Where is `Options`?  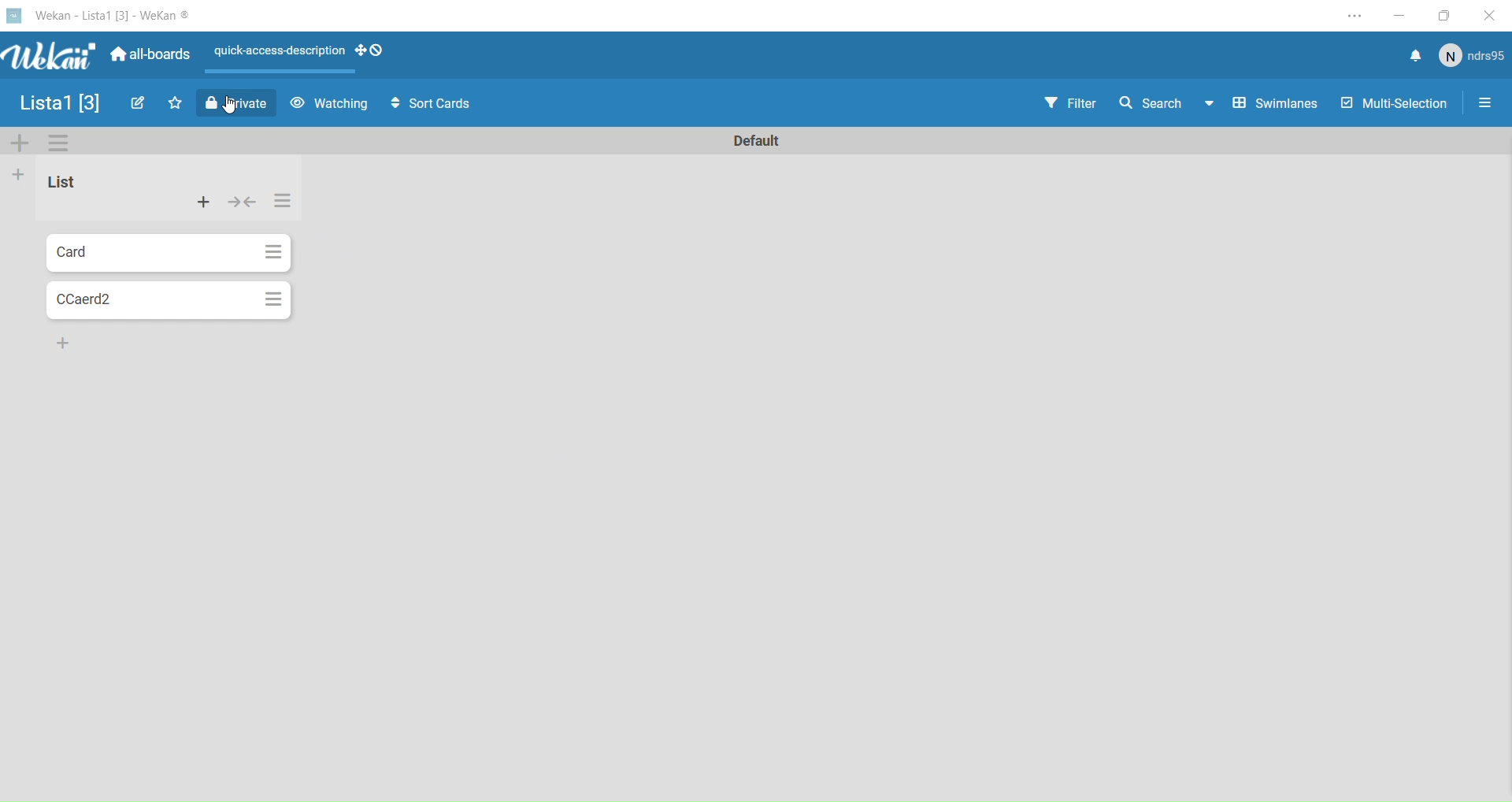
Options is located at coordinates (1487, 102).